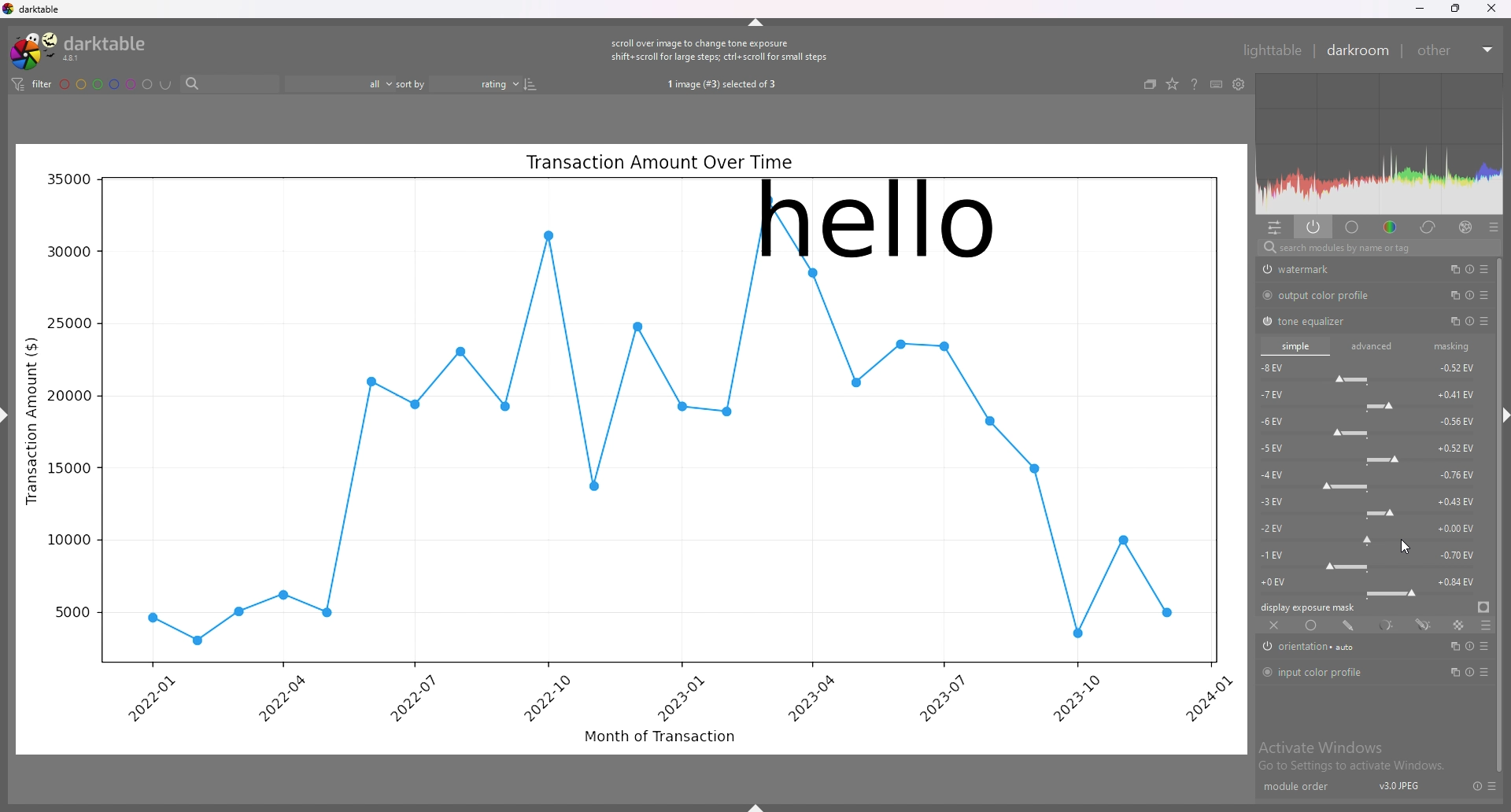 The width and height of the screenshot is (1511, 812). What do you see at coordinates (1372, 532) in the screenshot?
I see `-2 EV force` at bounding box center [1372, 532].